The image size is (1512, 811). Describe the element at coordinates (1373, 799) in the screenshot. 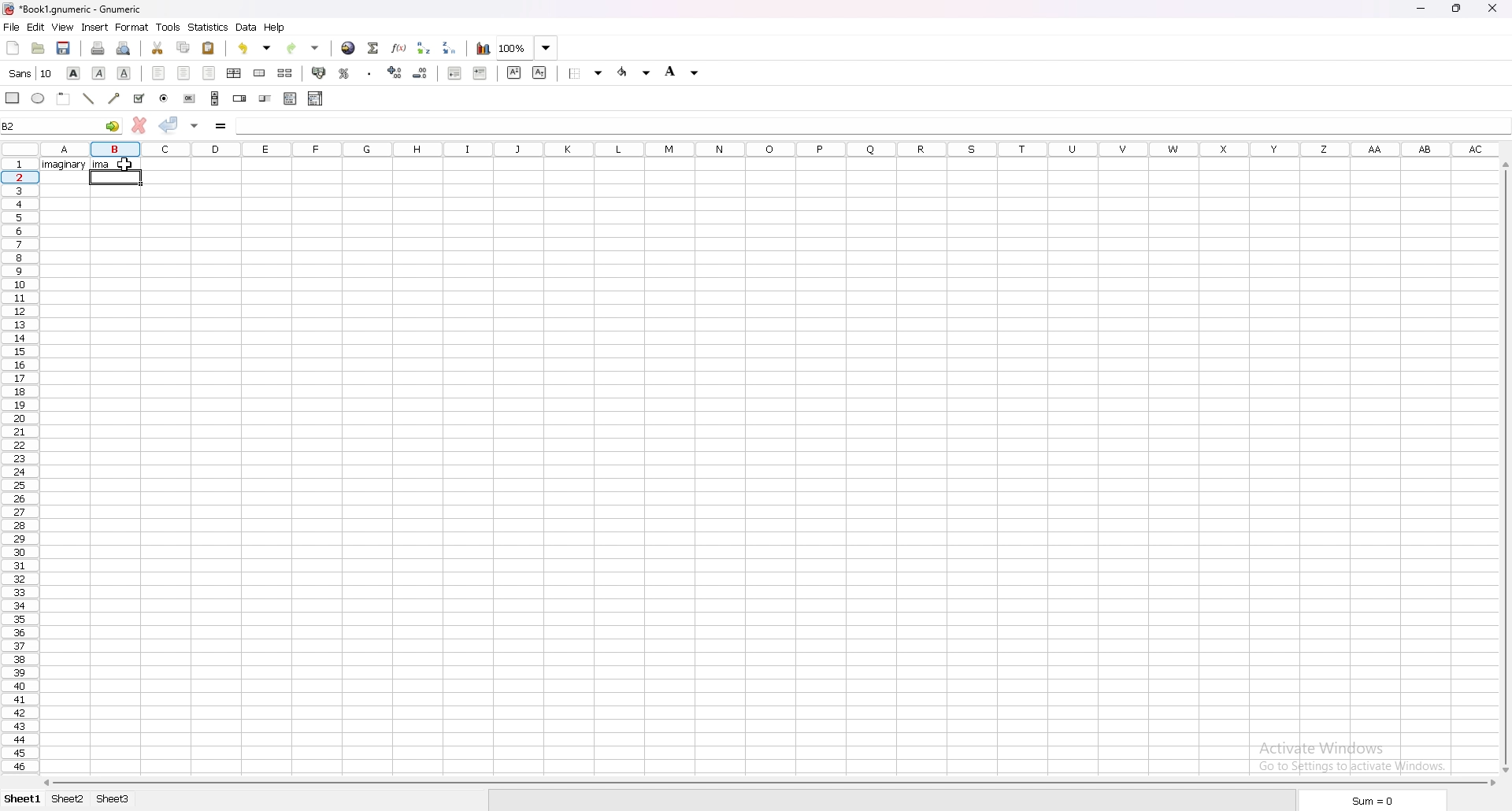

I see `sum` at that location.